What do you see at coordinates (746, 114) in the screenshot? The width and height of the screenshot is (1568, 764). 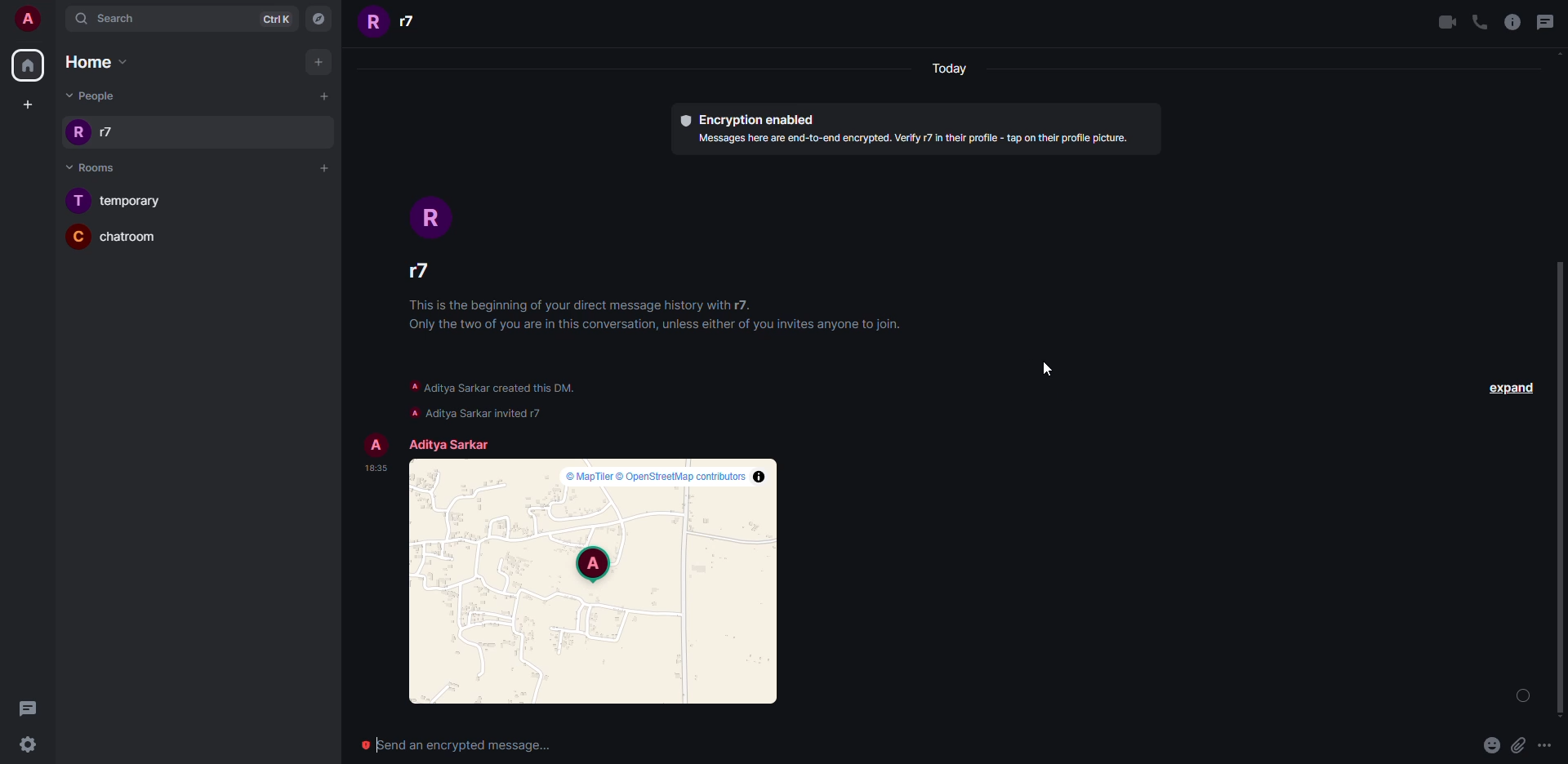 I see `Encryption enabled` at bounding box center [746, 114].